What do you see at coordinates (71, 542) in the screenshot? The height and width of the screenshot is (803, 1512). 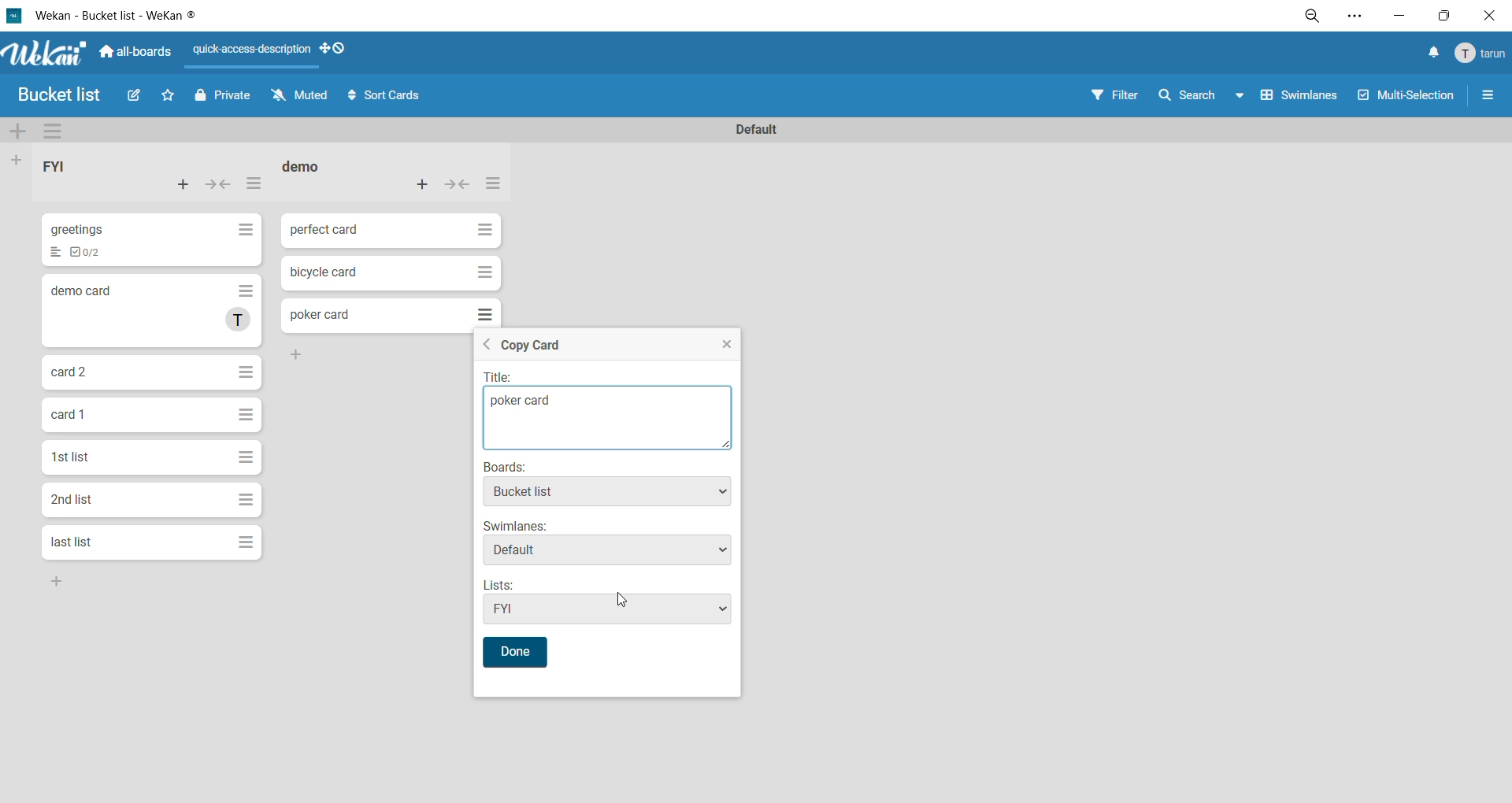 I see `last list` at bounding box center [71, 542].